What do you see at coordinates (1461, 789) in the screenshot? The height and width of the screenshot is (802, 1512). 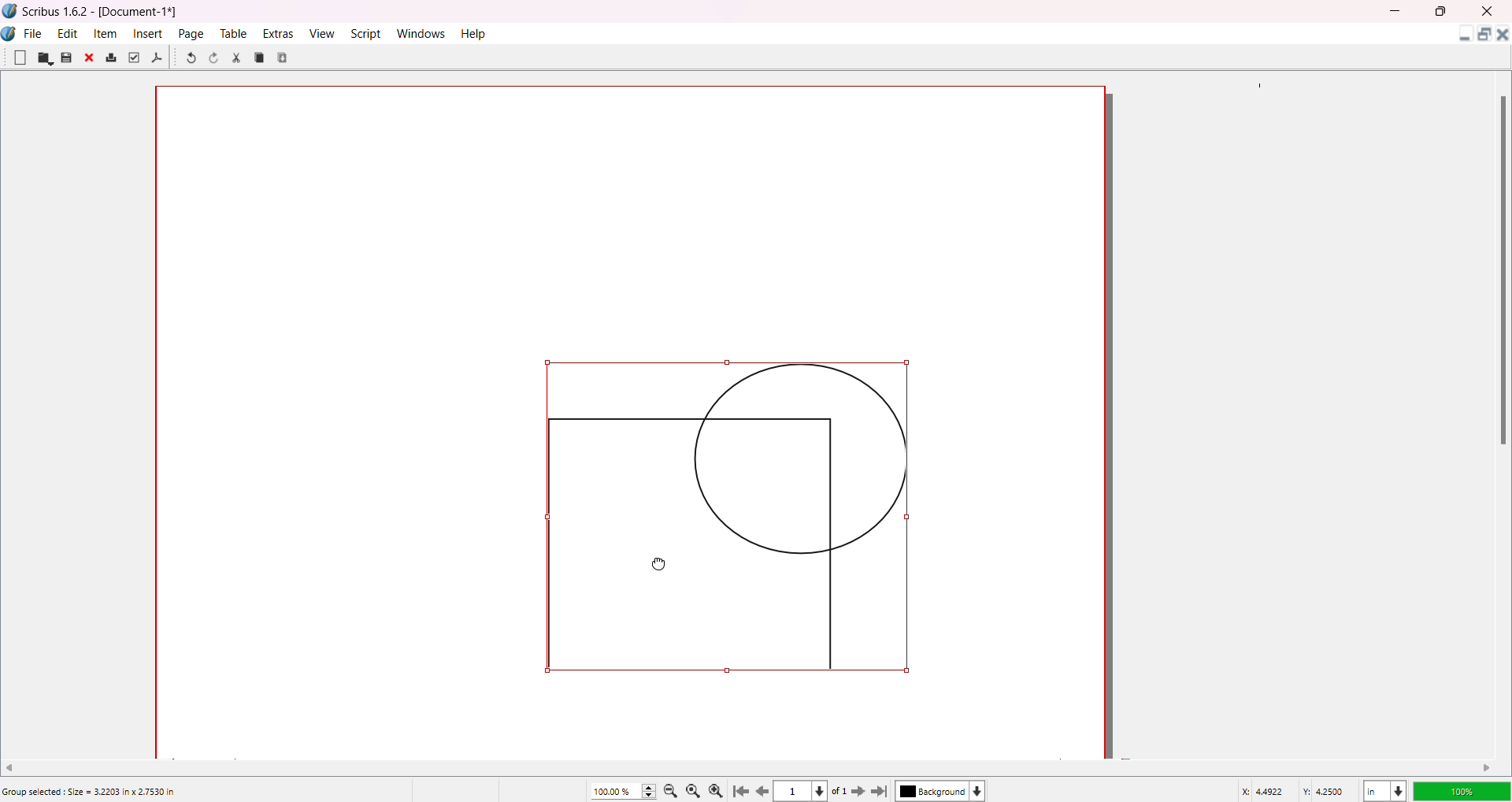 I see `Opacity` at bounding box center [1461, 789].